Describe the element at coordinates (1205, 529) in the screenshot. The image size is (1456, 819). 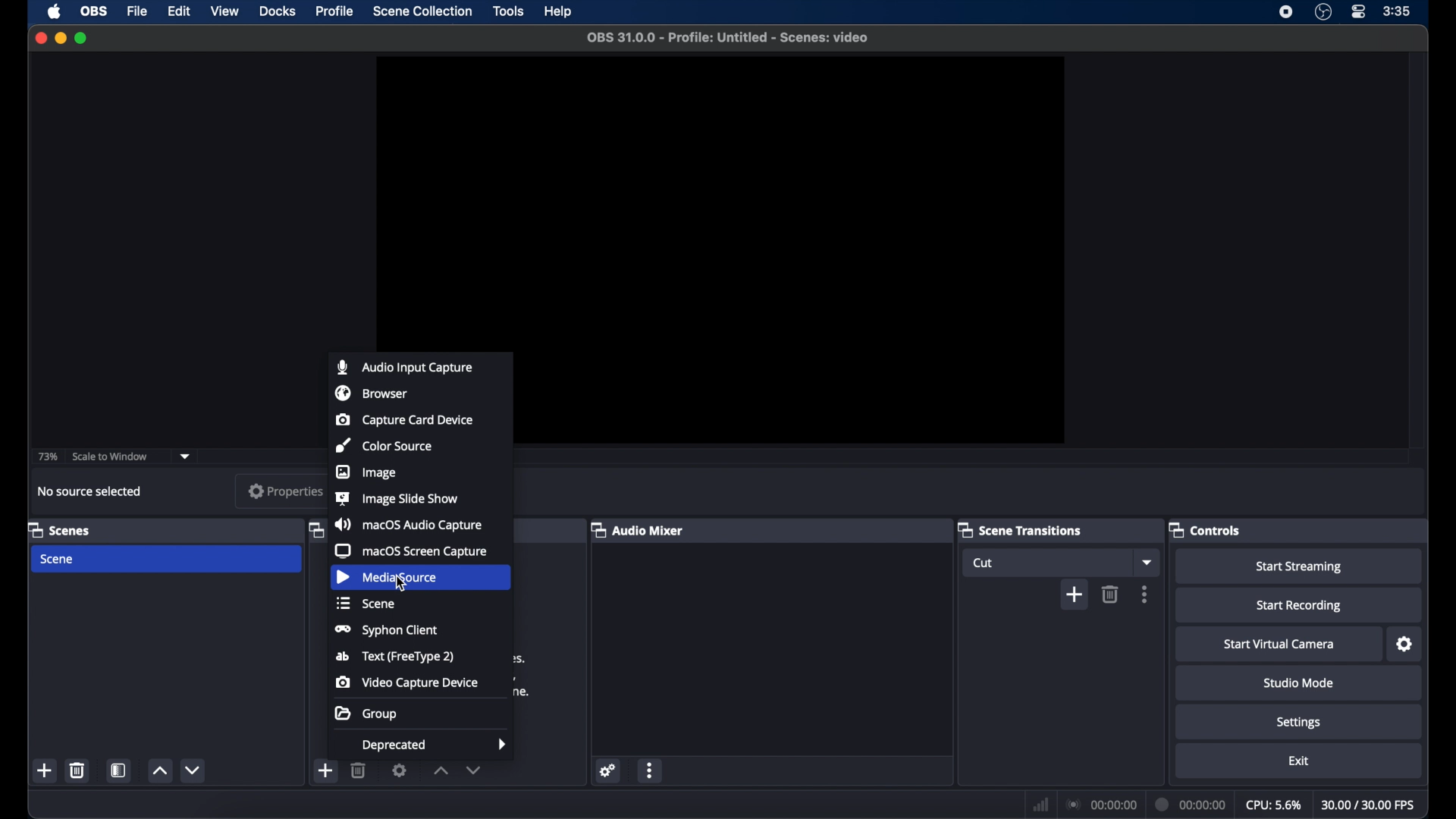
I see `controls` at that location.